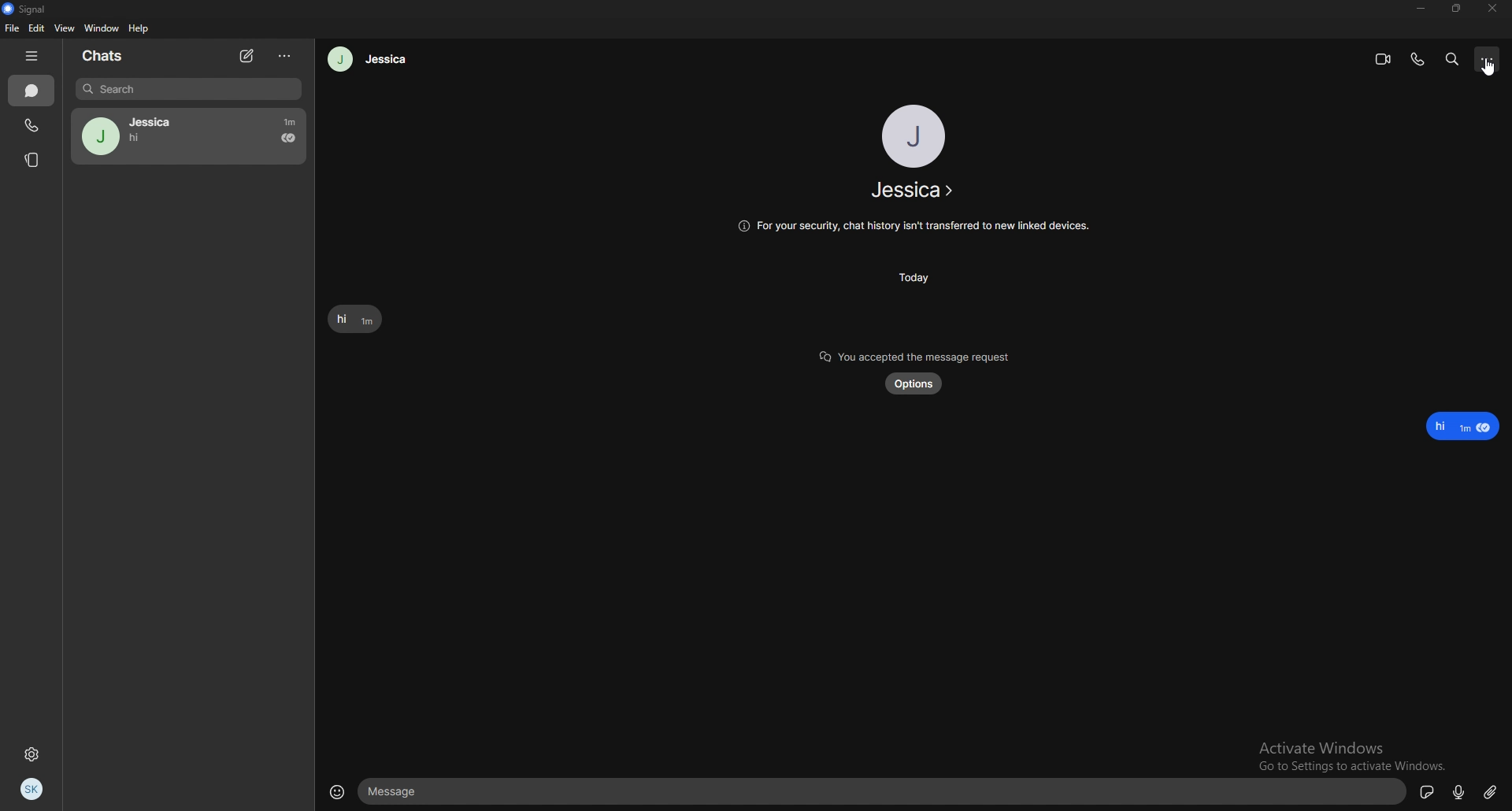  Describe the element at coordinates (884, 793) in the screenshot. I see `message` at that location.